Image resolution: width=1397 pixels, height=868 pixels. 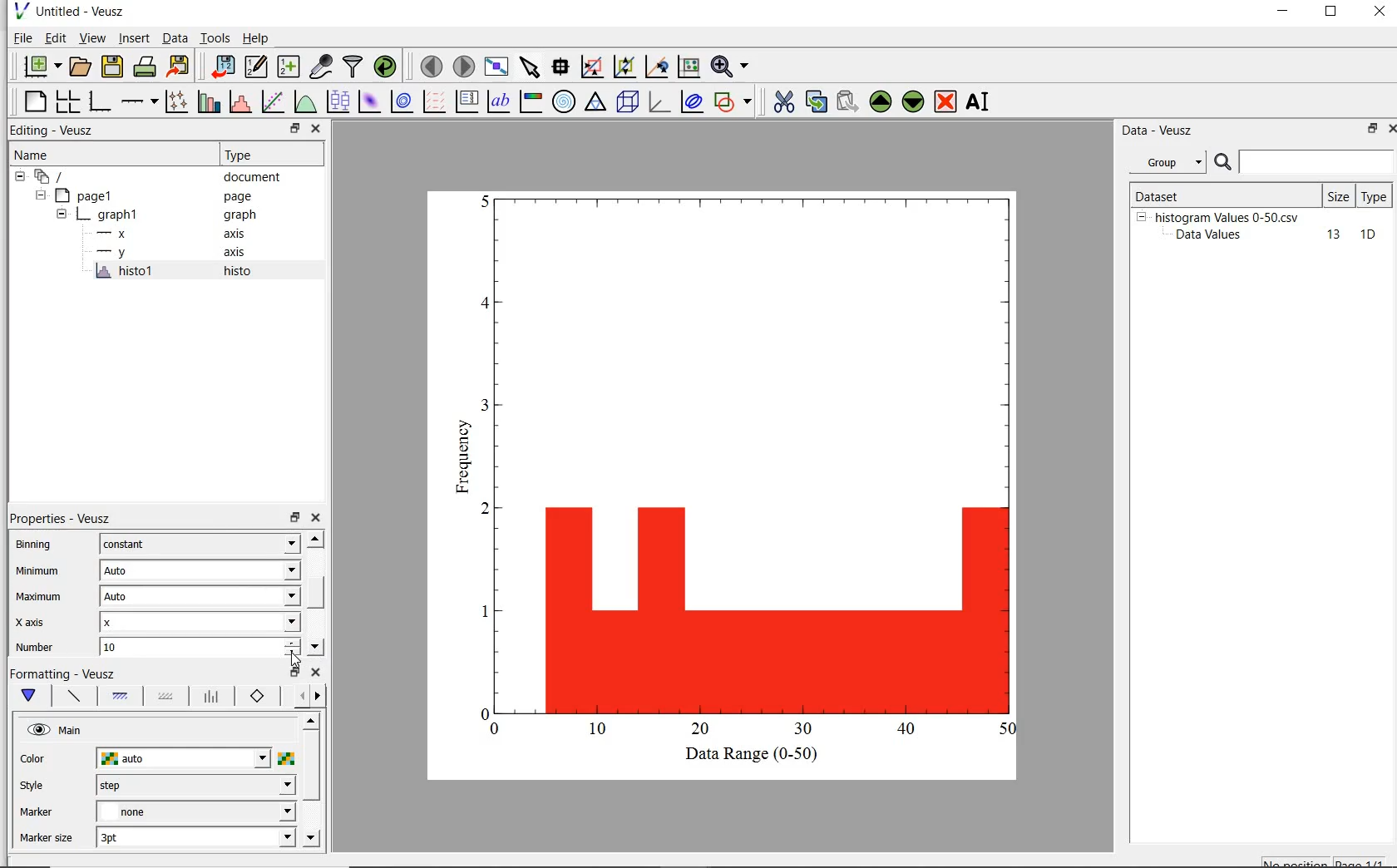 I want to click on x- axis, so click(x=115, y=235).